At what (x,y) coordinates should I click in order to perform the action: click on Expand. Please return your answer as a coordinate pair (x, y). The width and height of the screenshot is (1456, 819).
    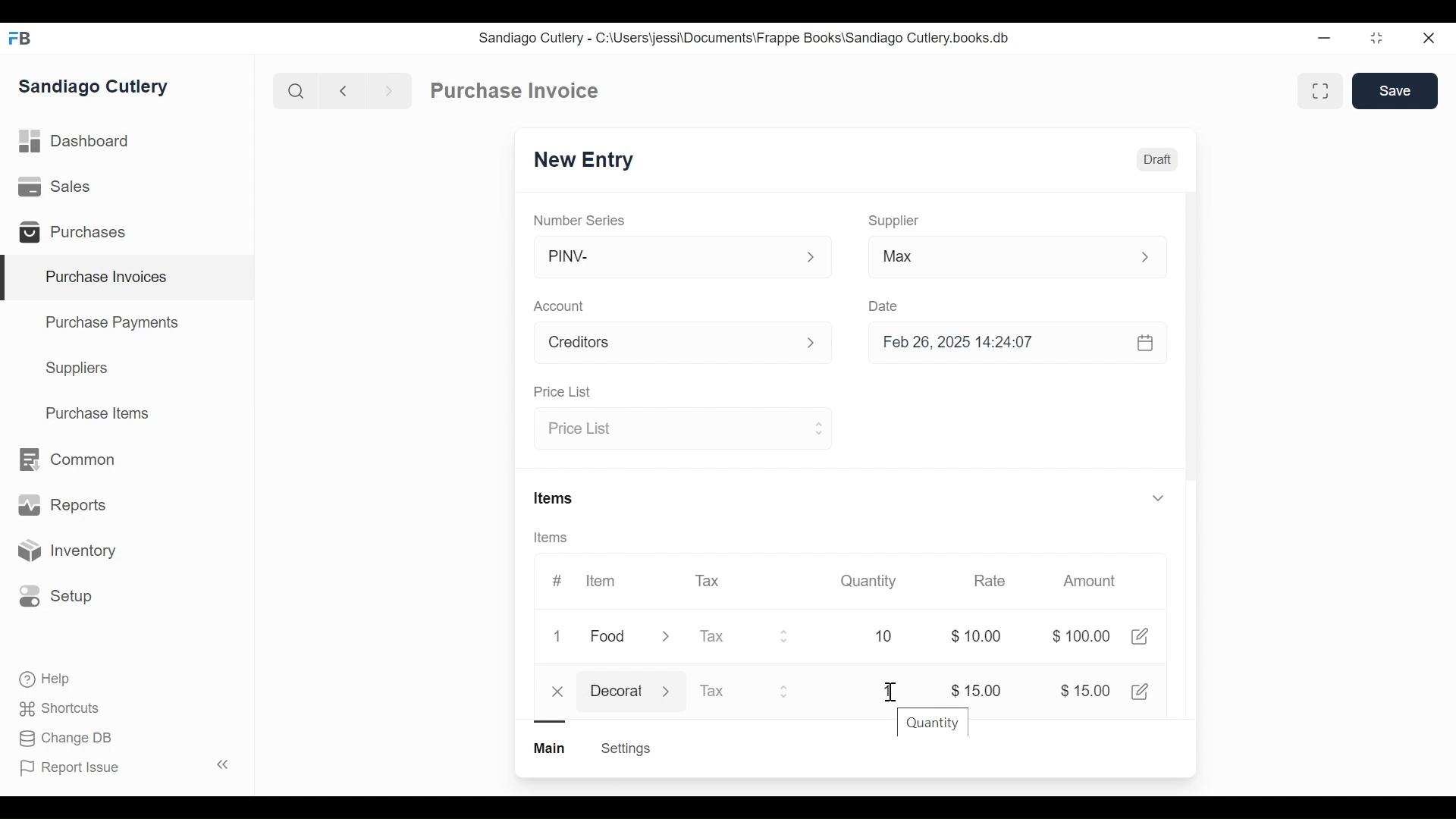
    Looking at the image, I should click on (670, 692).